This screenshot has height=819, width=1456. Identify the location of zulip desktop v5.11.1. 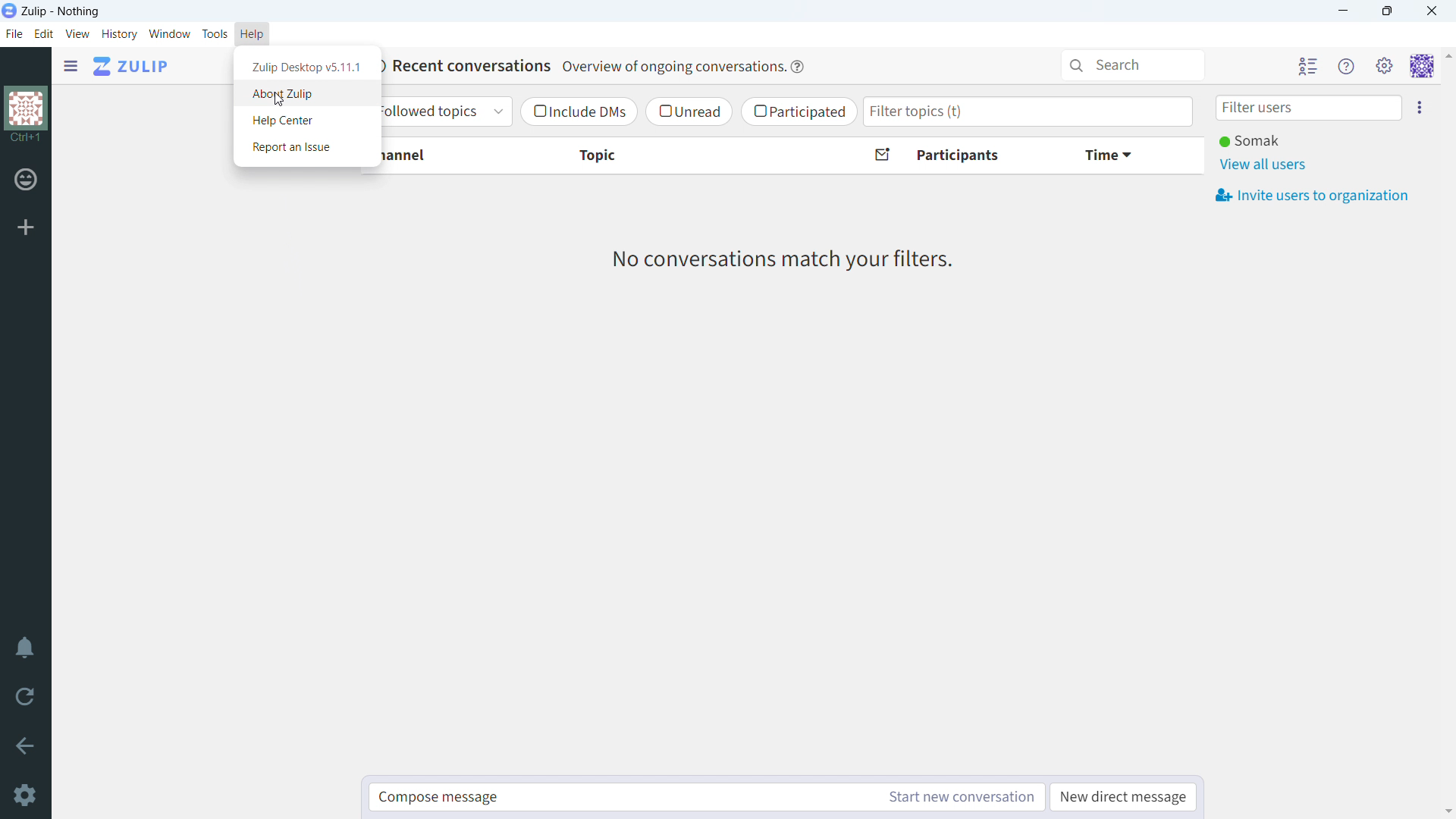
(306, 67).